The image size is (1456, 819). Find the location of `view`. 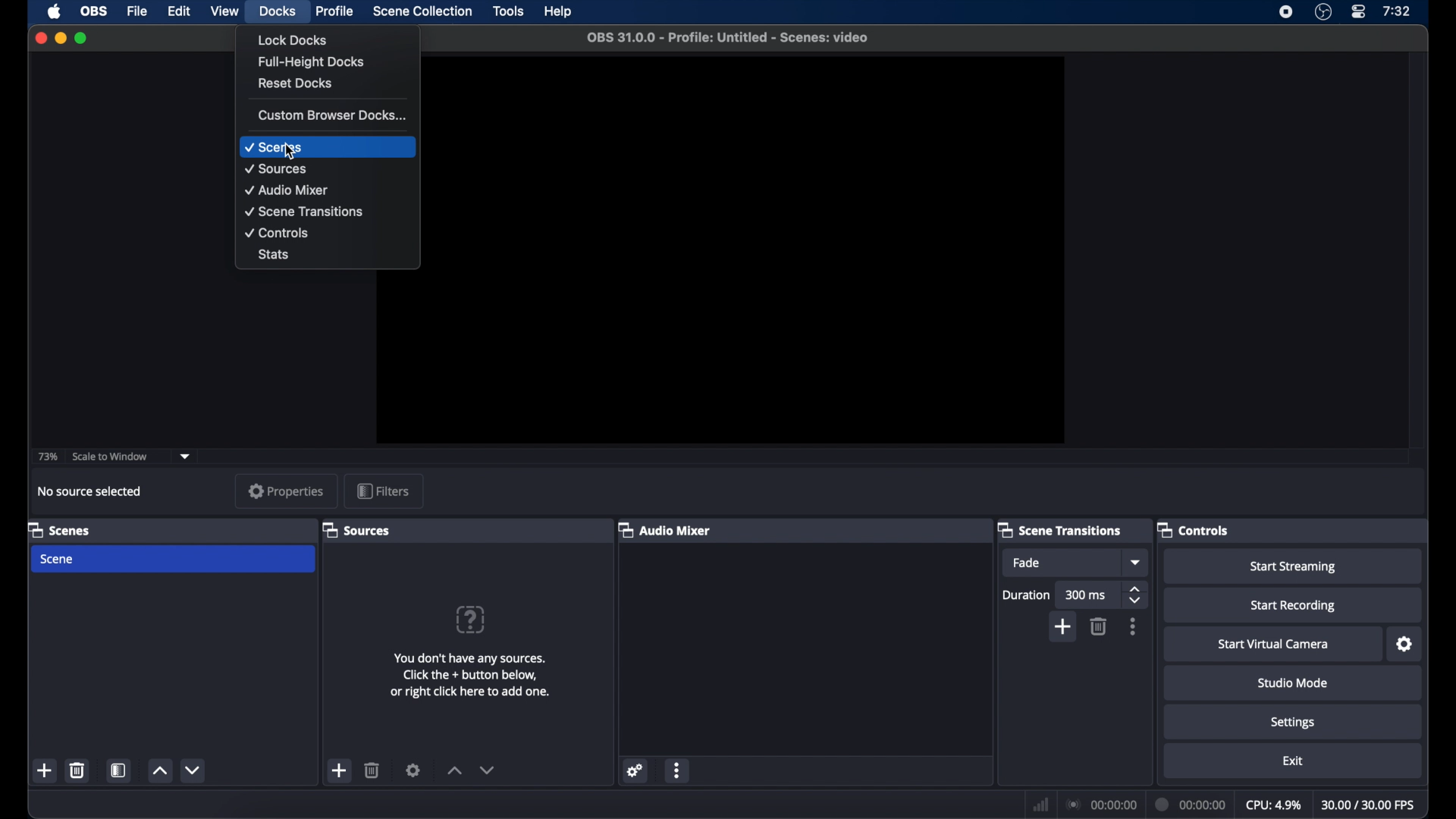

view is located at coordinates (224, 11).